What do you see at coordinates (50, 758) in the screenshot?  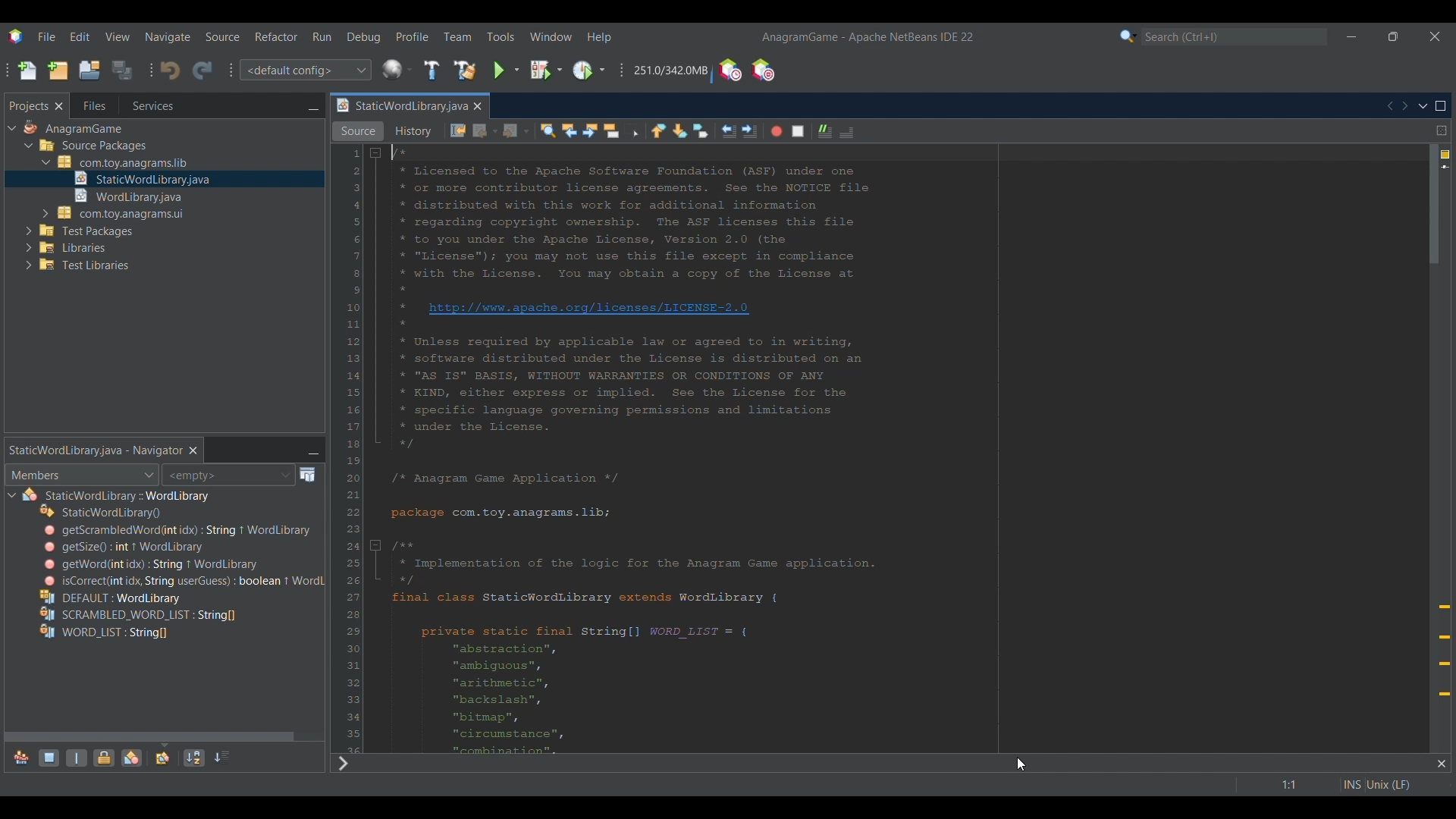 I see `Show fields` at bounding box center [50, 758].